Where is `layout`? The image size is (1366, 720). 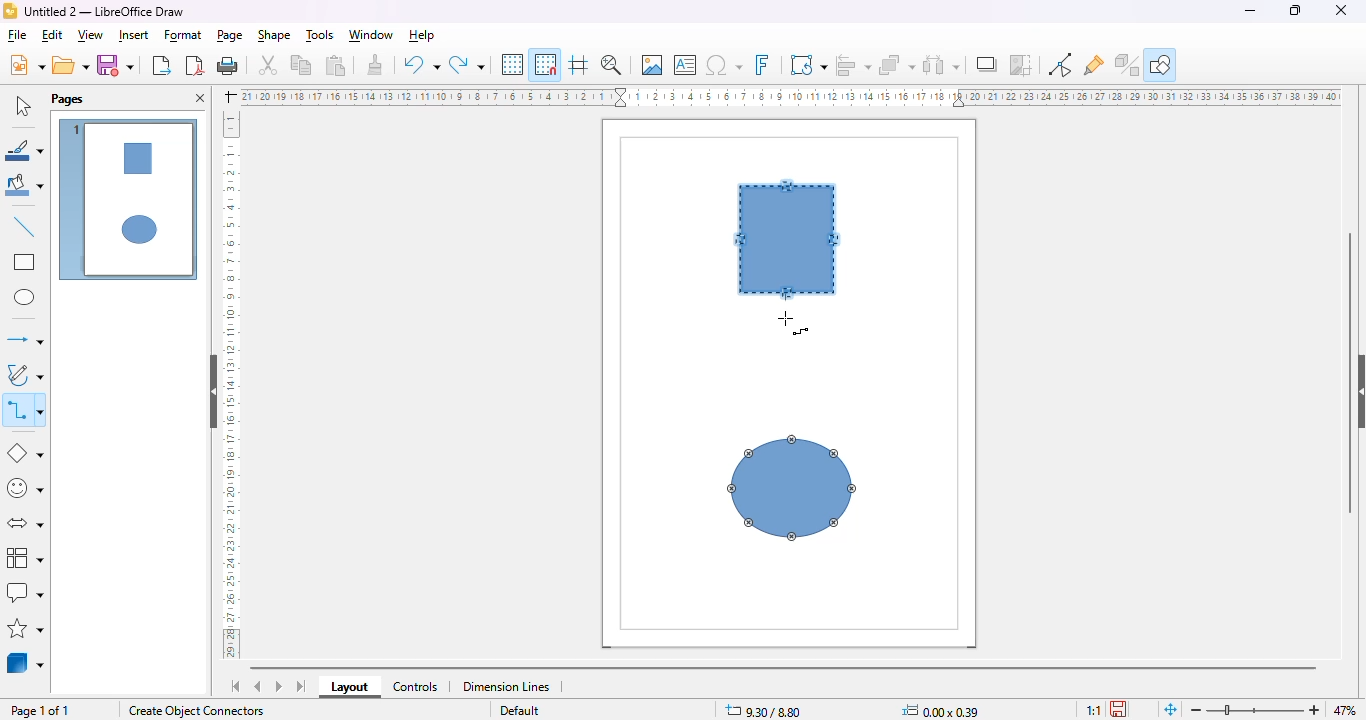
layout is located at coordinates (350, 687).